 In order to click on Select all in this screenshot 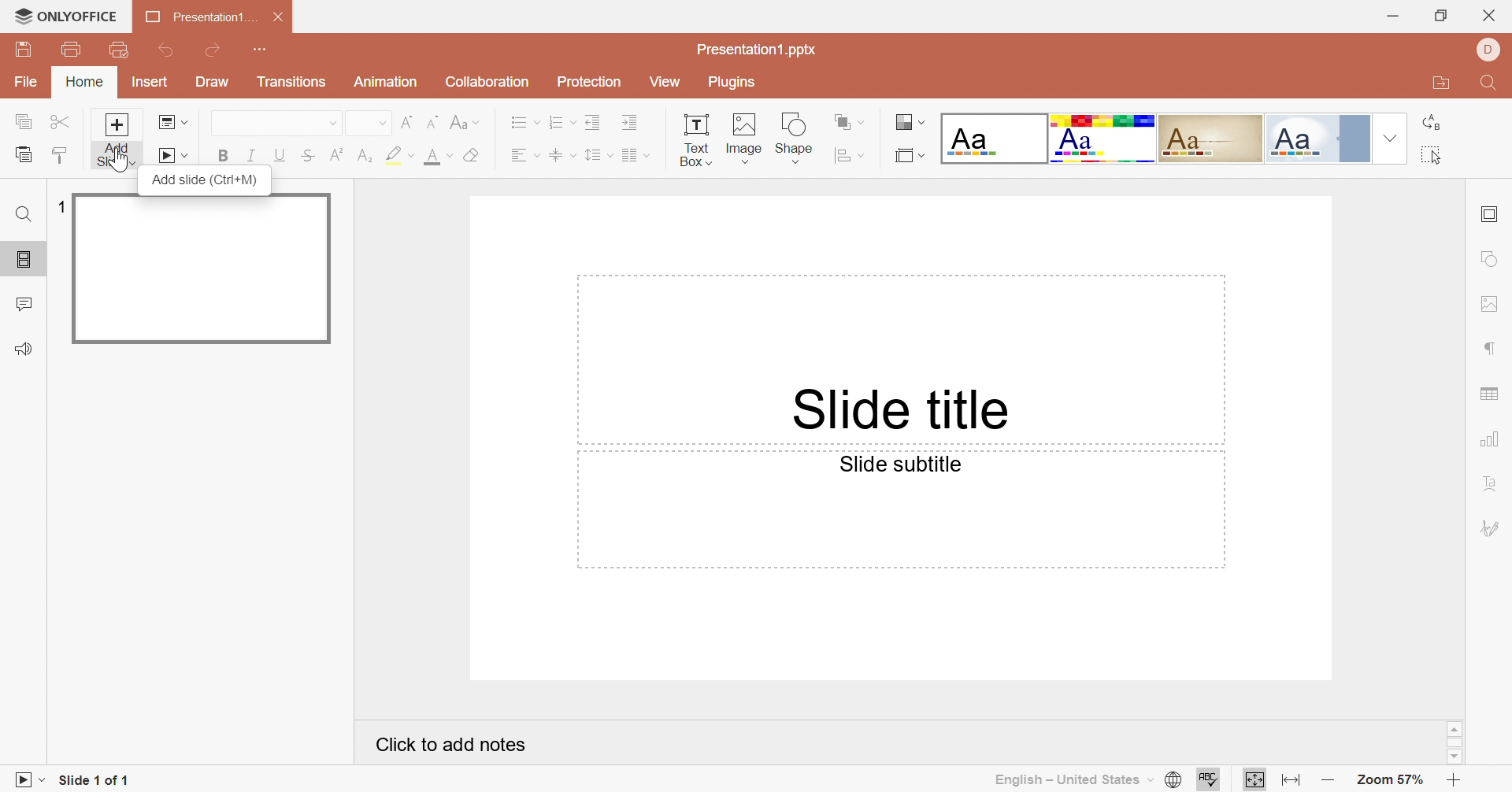, I will do `click(1430, 154)`.